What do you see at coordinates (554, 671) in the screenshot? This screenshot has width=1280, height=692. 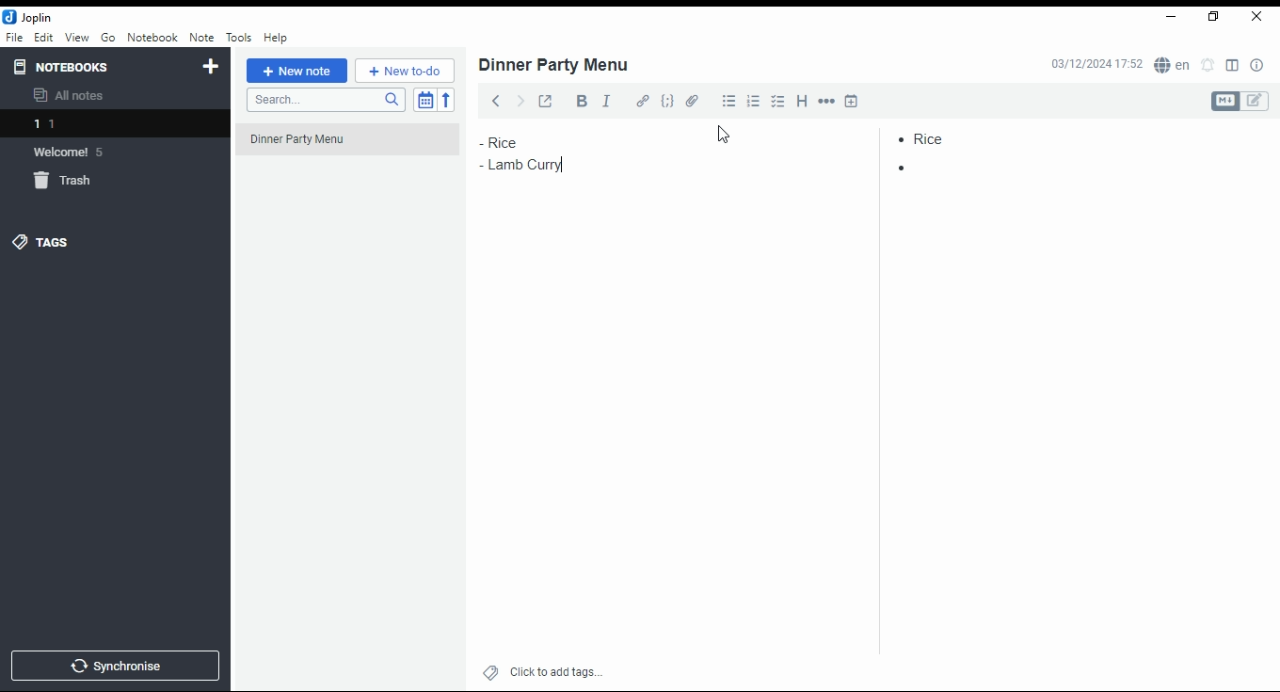 I see `click to add tags` at bounding box center [554, 671].